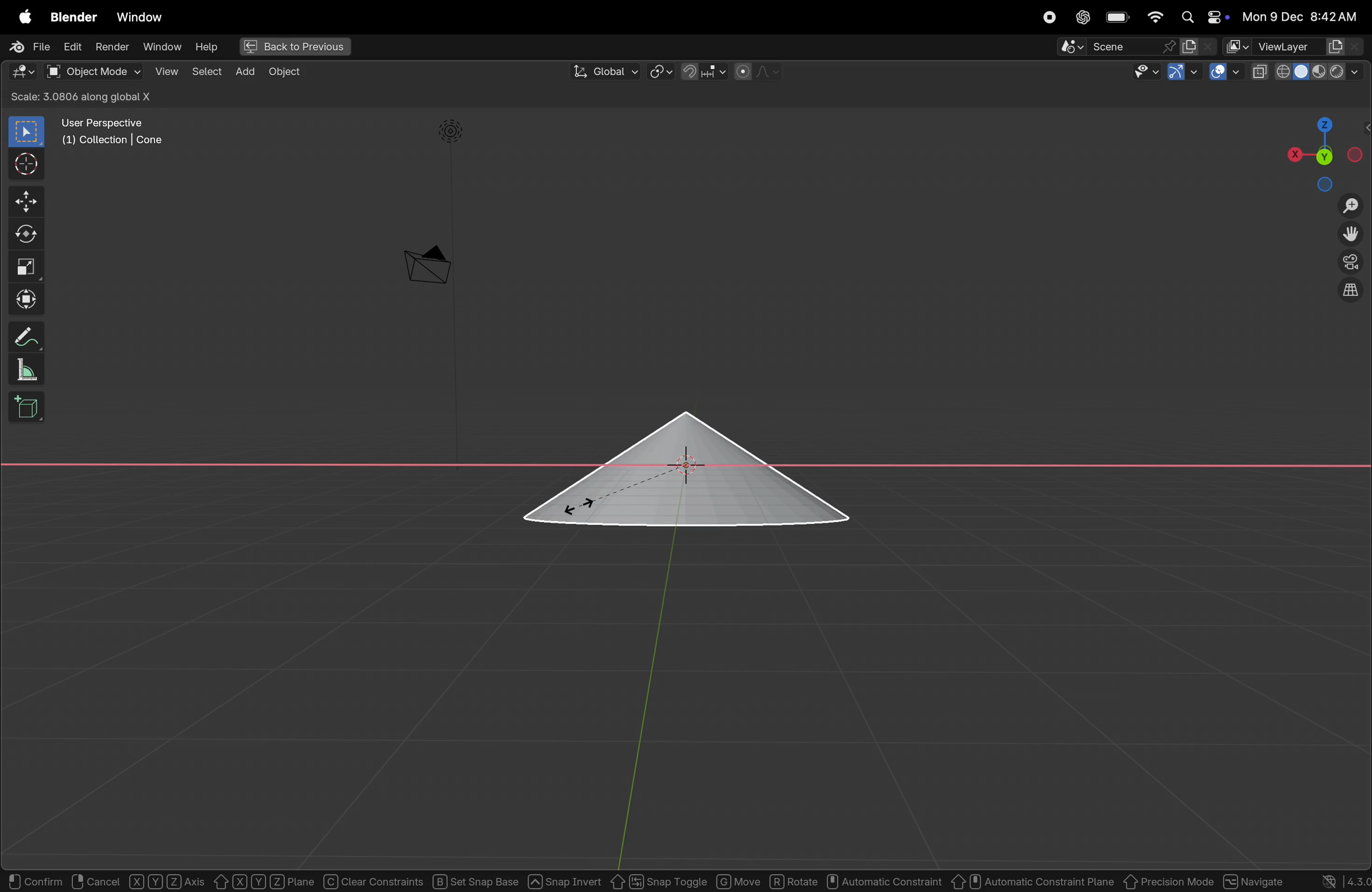 The width and height of the screenshot is (1372, 892). Describe the element at coordinates (296, 47) in the screenshot. I see `back to previous` at that location.